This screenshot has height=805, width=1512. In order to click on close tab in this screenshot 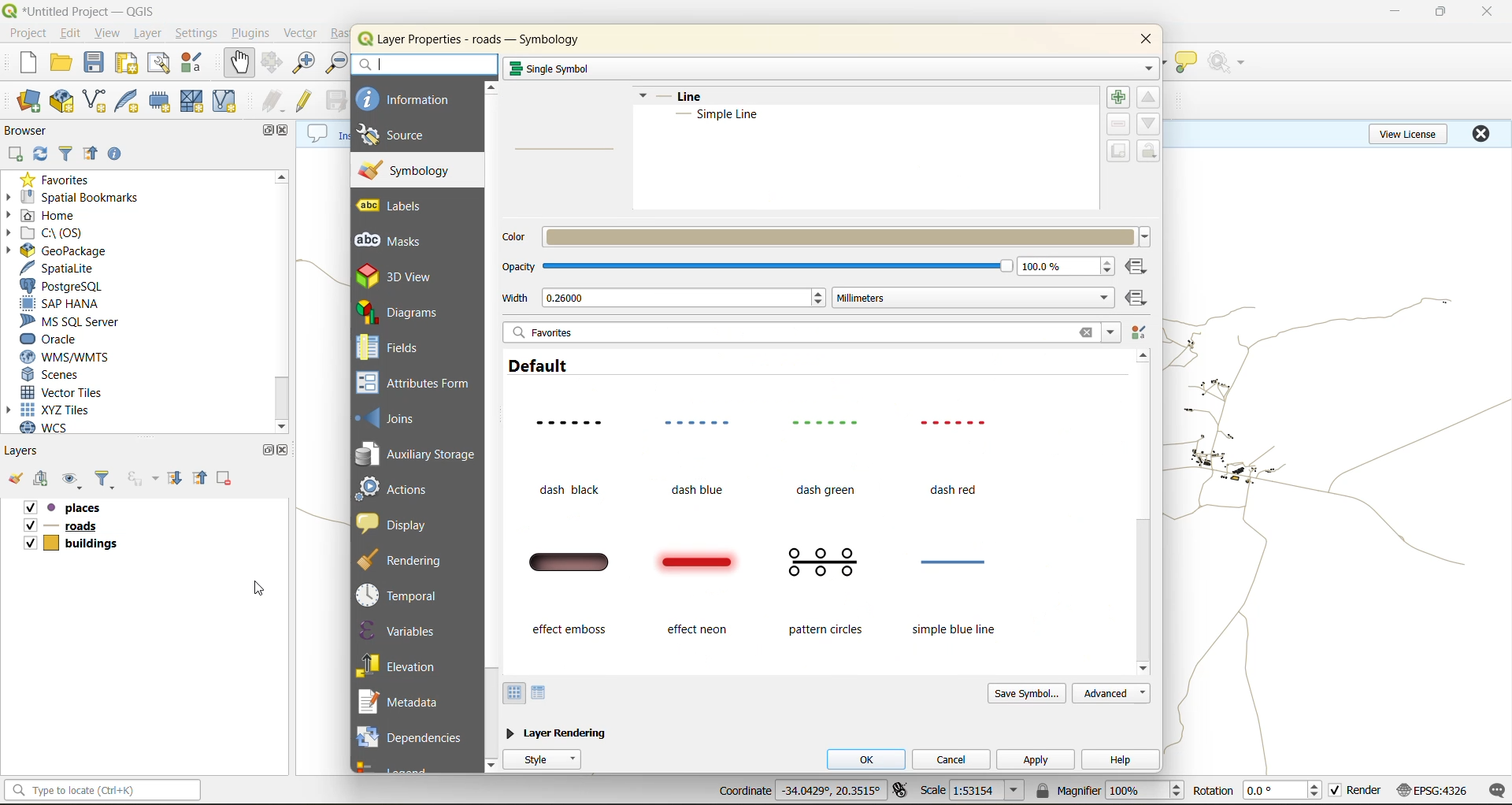, I will do `click(1147, 44)`.